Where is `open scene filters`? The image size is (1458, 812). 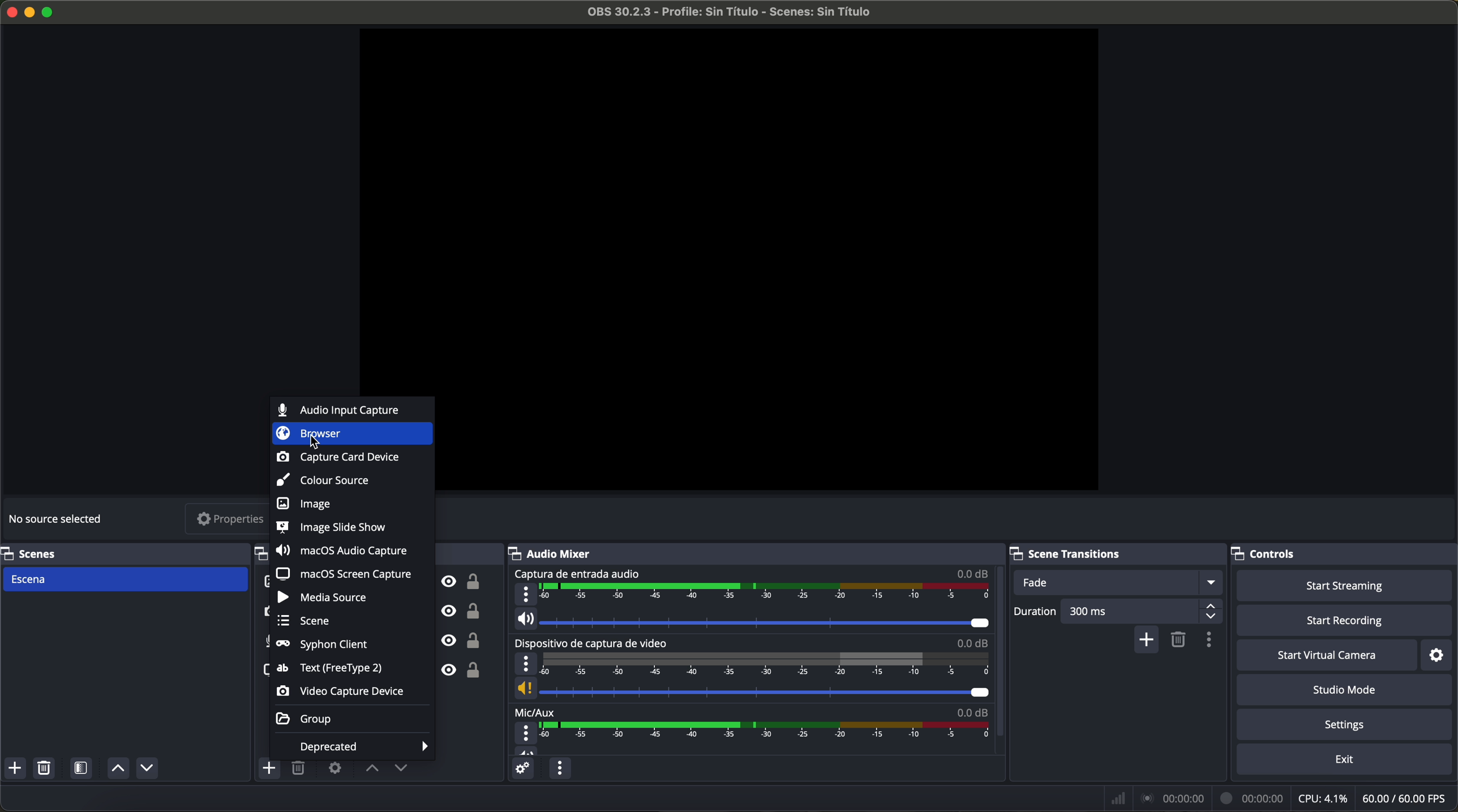
open scene filters is located at coordinates (80, 767).